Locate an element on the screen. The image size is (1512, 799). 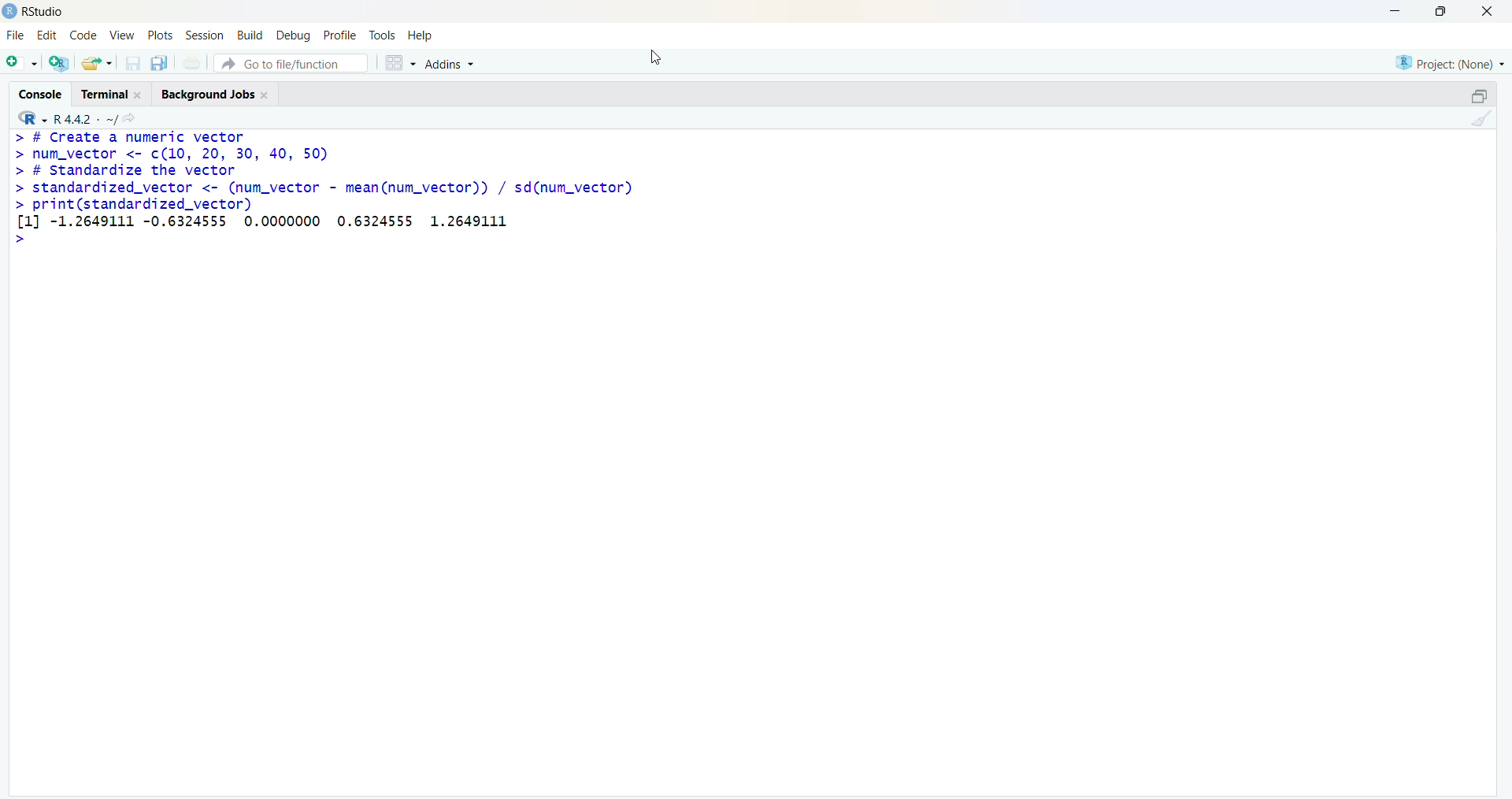
R 4.4.2 ~/ is located at coordinates (84, 119).